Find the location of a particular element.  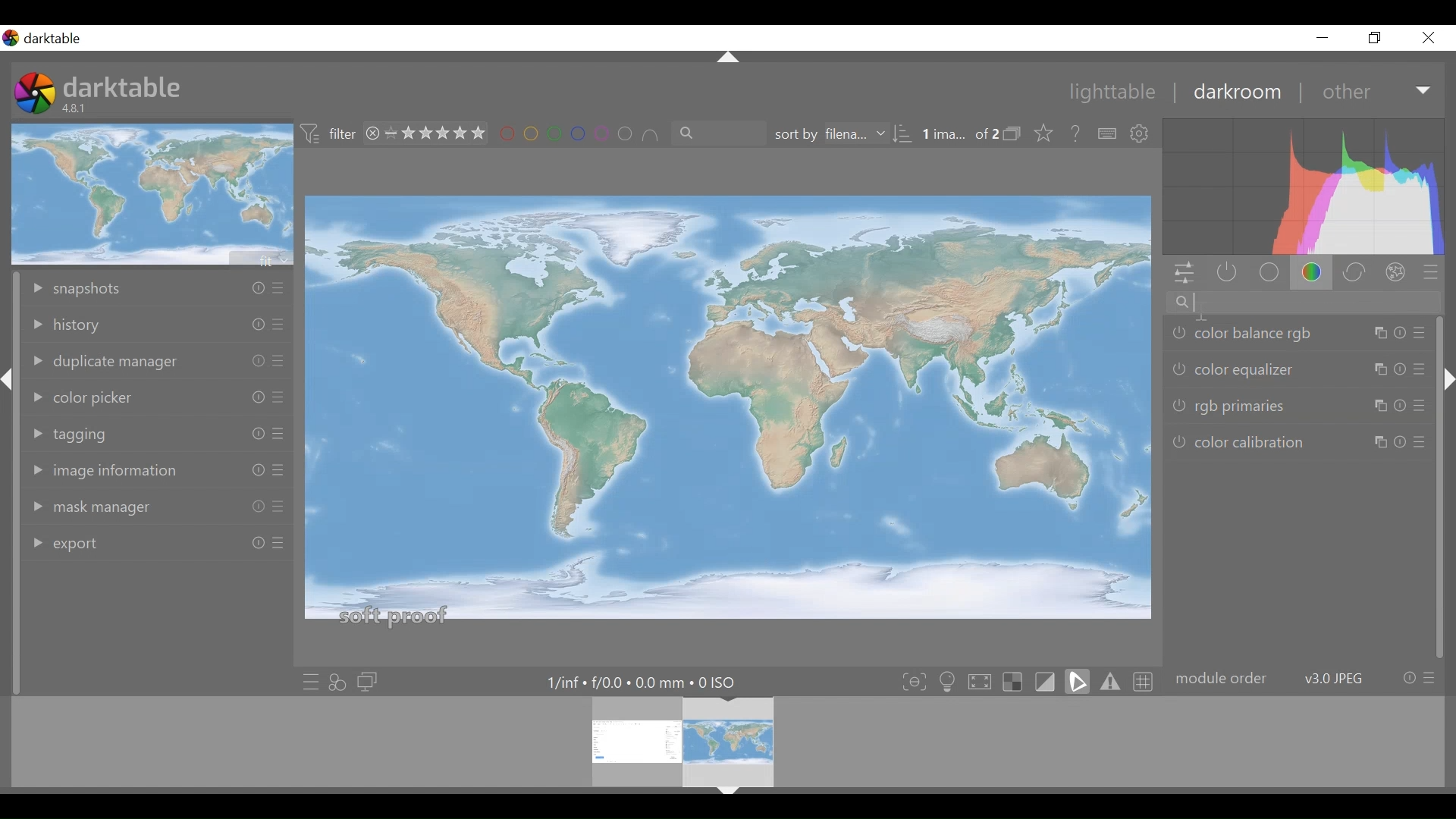

effect  is located at coordinates (1399, 275).